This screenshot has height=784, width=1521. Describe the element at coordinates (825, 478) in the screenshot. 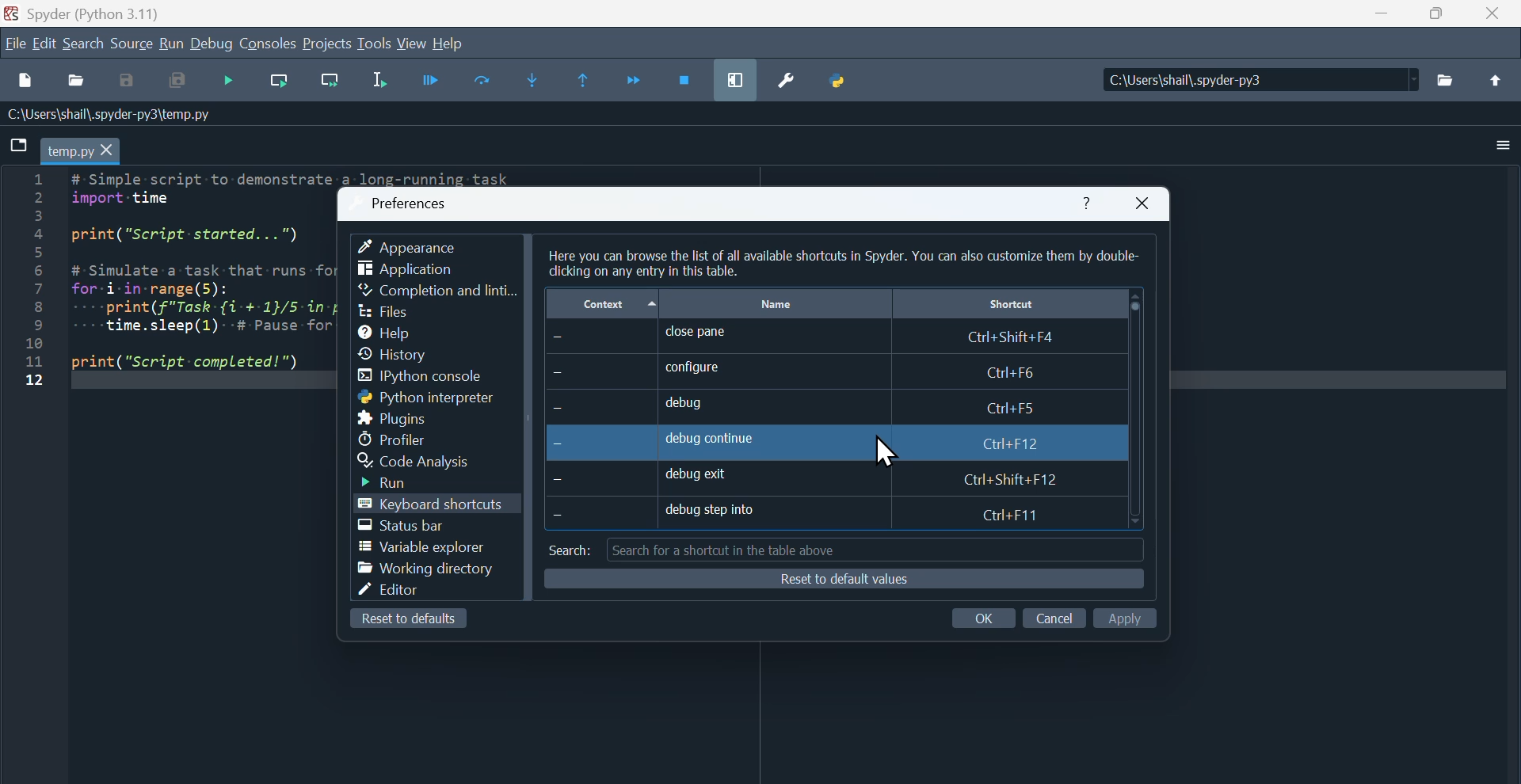

I see `debug exit` at that location.